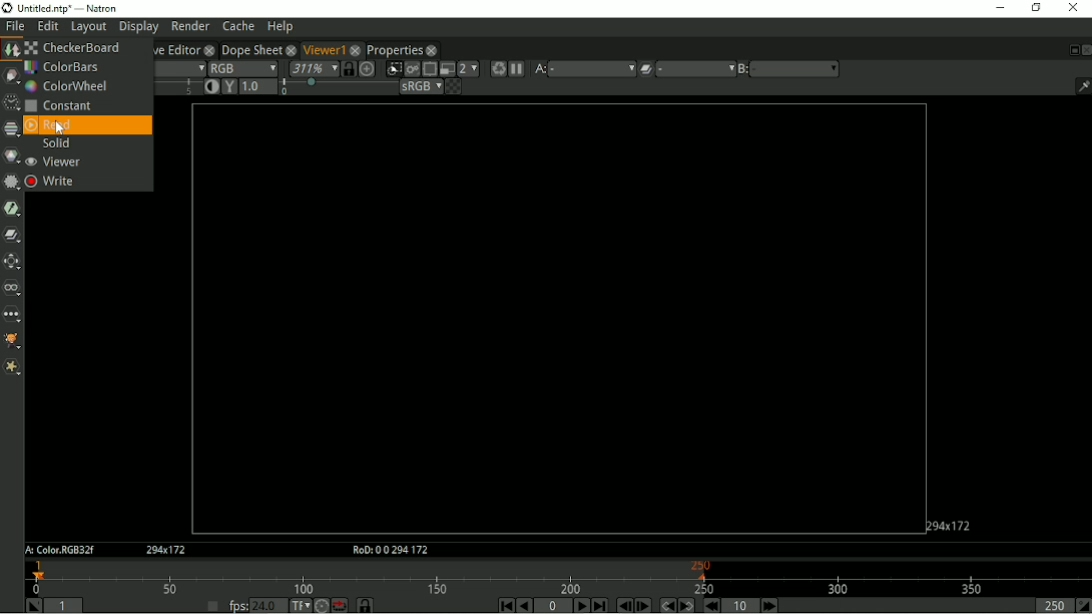 The image size is (1092, 614). I want to click on ColorBars, so click(61, 68).